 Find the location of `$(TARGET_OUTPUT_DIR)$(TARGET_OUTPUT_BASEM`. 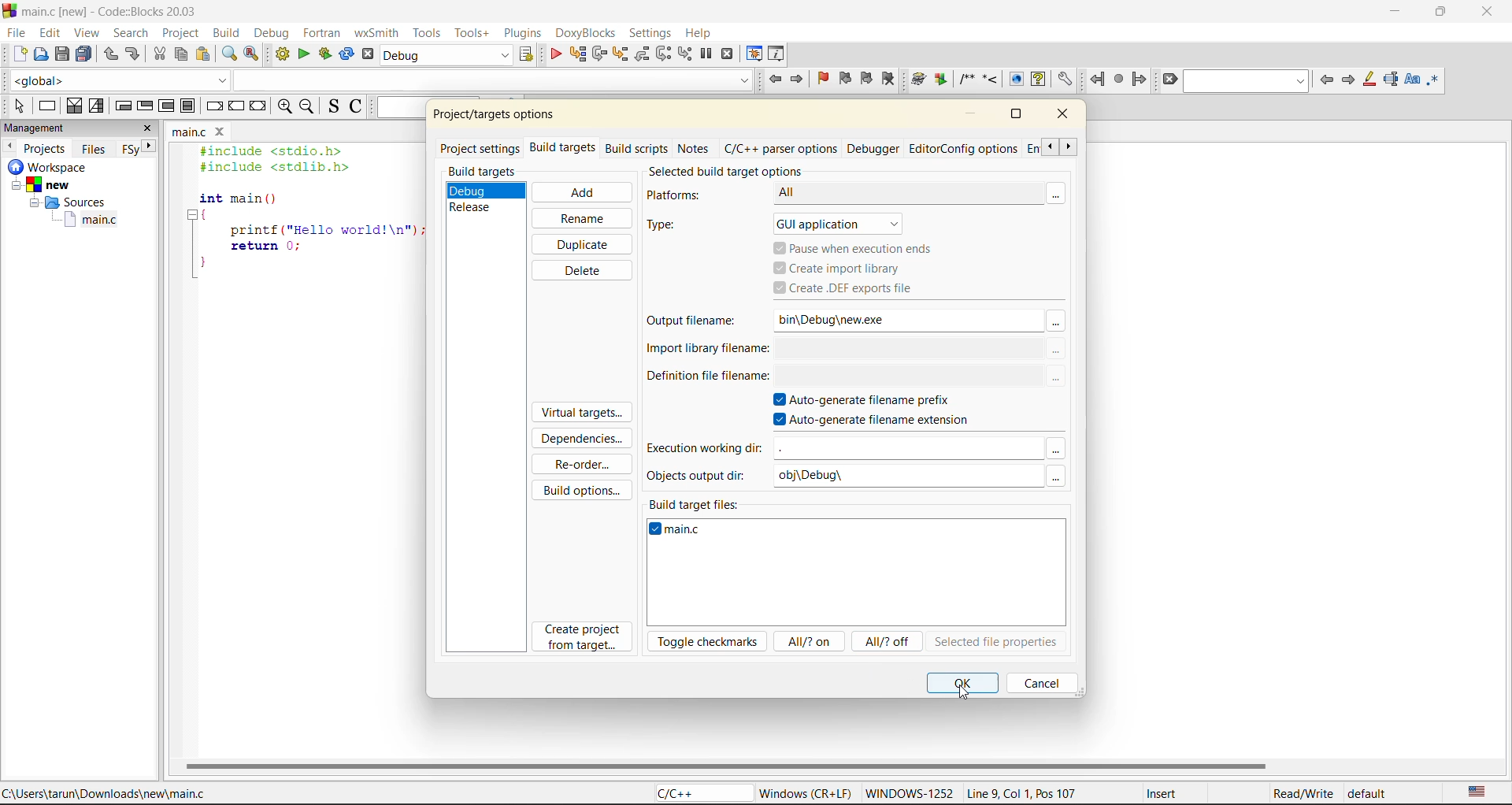

$(TARGET_OUTPUT_DIR)$(TARGET_OUTPUT_BASEM is located at coordinates (922, 374).